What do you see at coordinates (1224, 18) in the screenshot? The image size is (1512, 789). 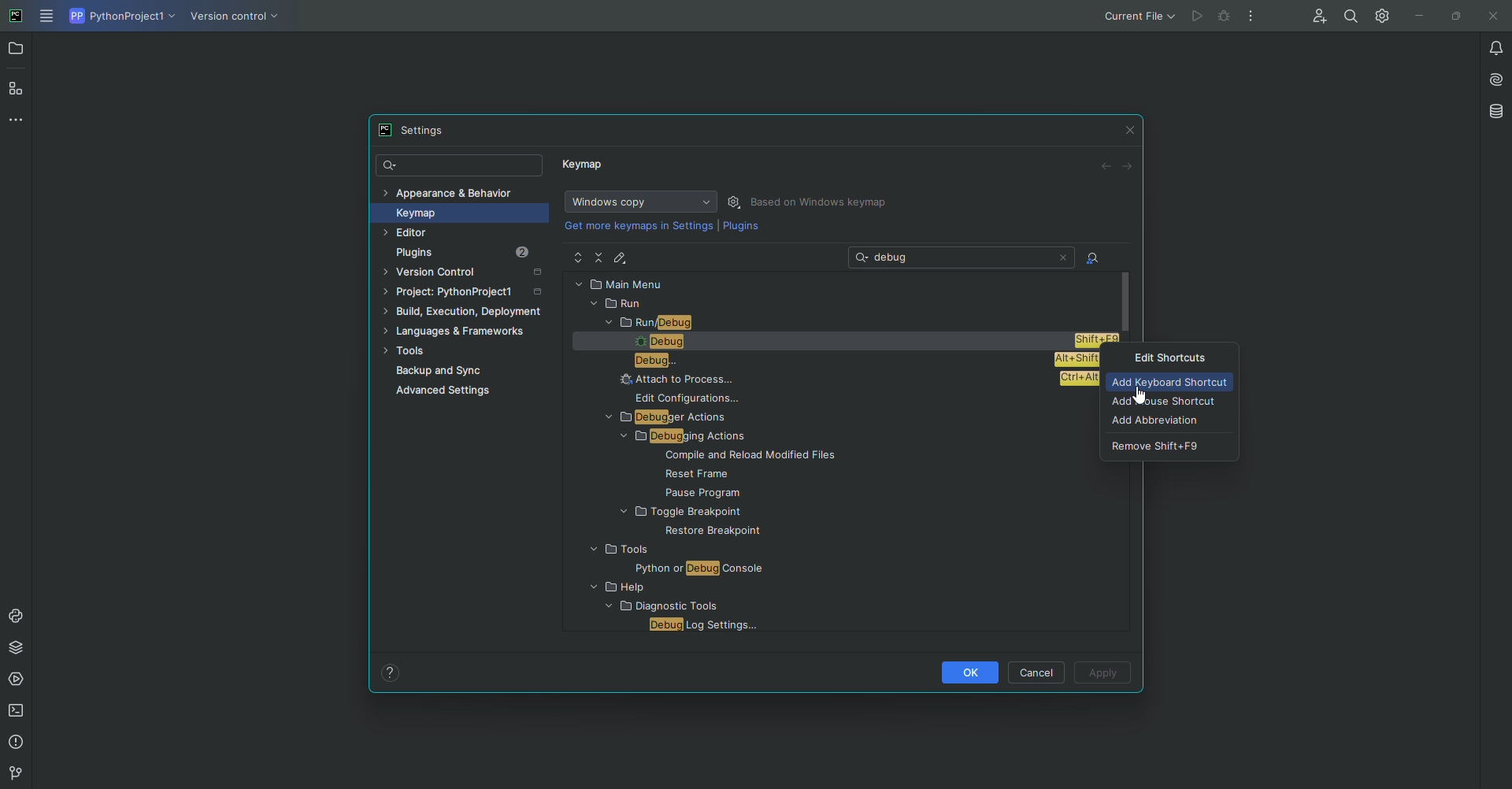 I see `debug` at bounding box center [1224, 18].